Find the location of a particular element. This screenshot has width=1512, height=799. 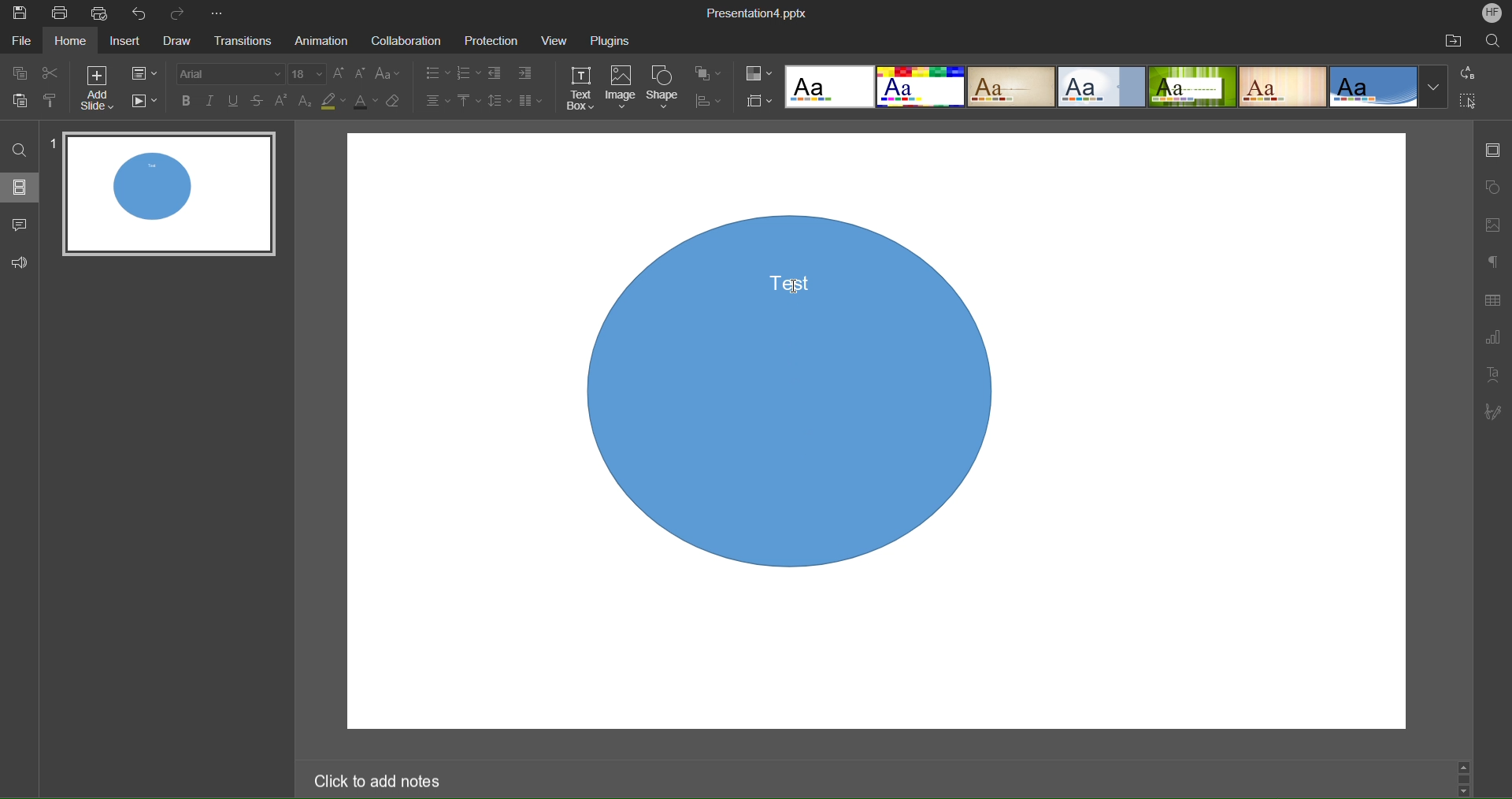

Comments is located at coordinates (24, 225).